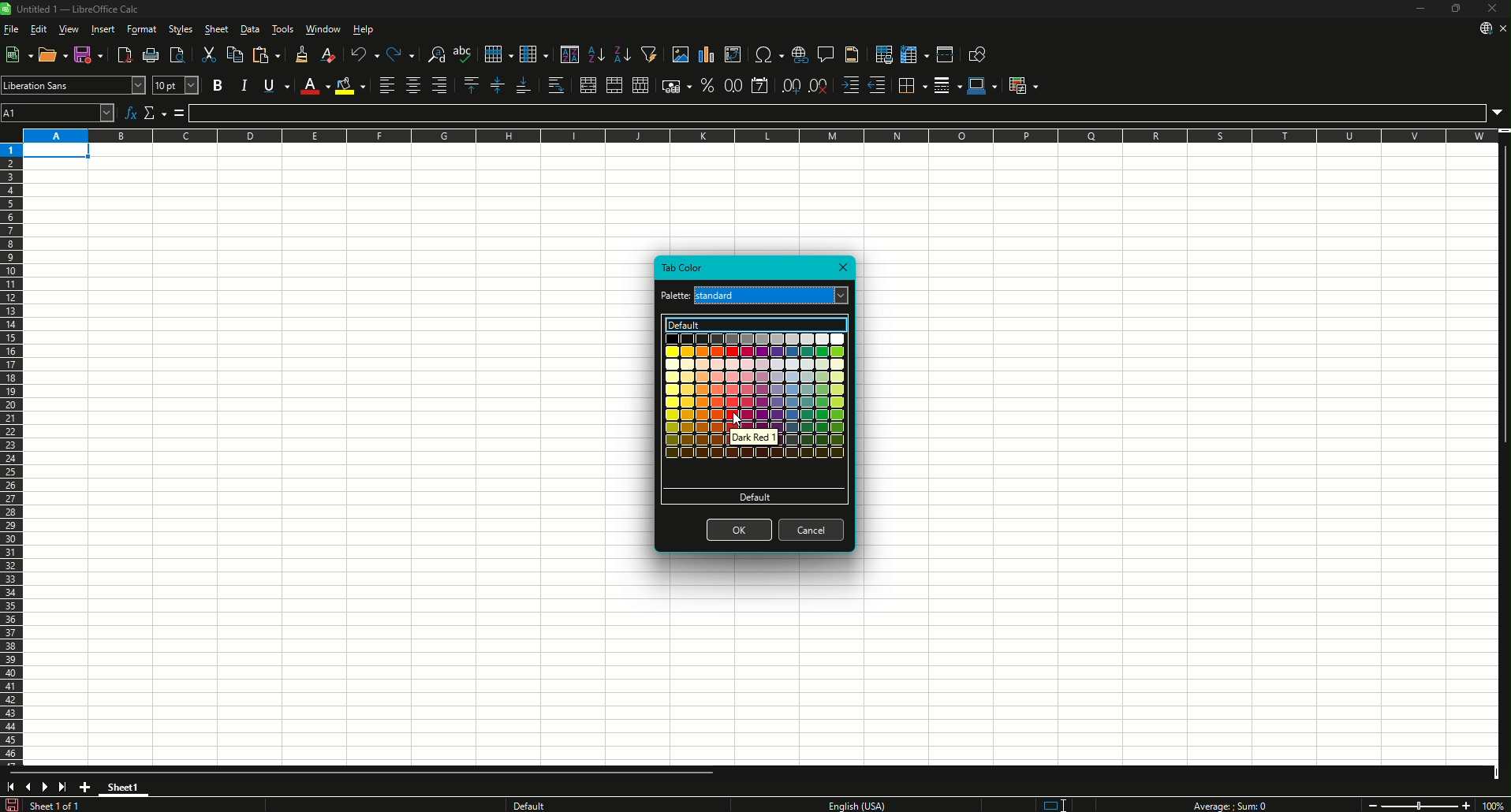 This screenshot has width=1511, height=812. What do you see at coordinates (979, 53) in the screenshot?
I see `Show Draw Function` at bounding box center [979, 53].